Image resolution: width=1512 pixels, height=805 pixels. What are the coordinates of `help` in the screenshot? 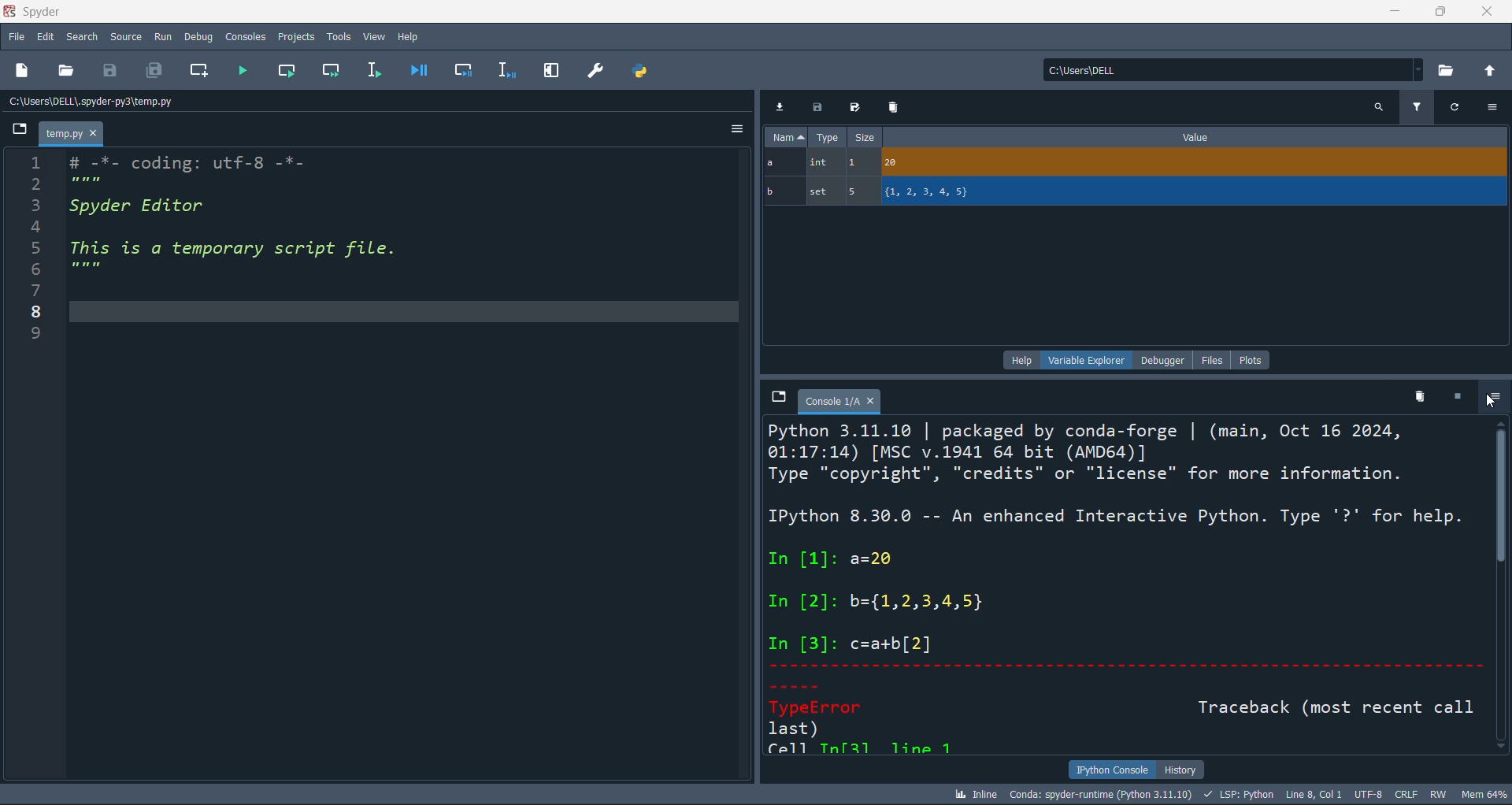 It's located at (1019, 359).